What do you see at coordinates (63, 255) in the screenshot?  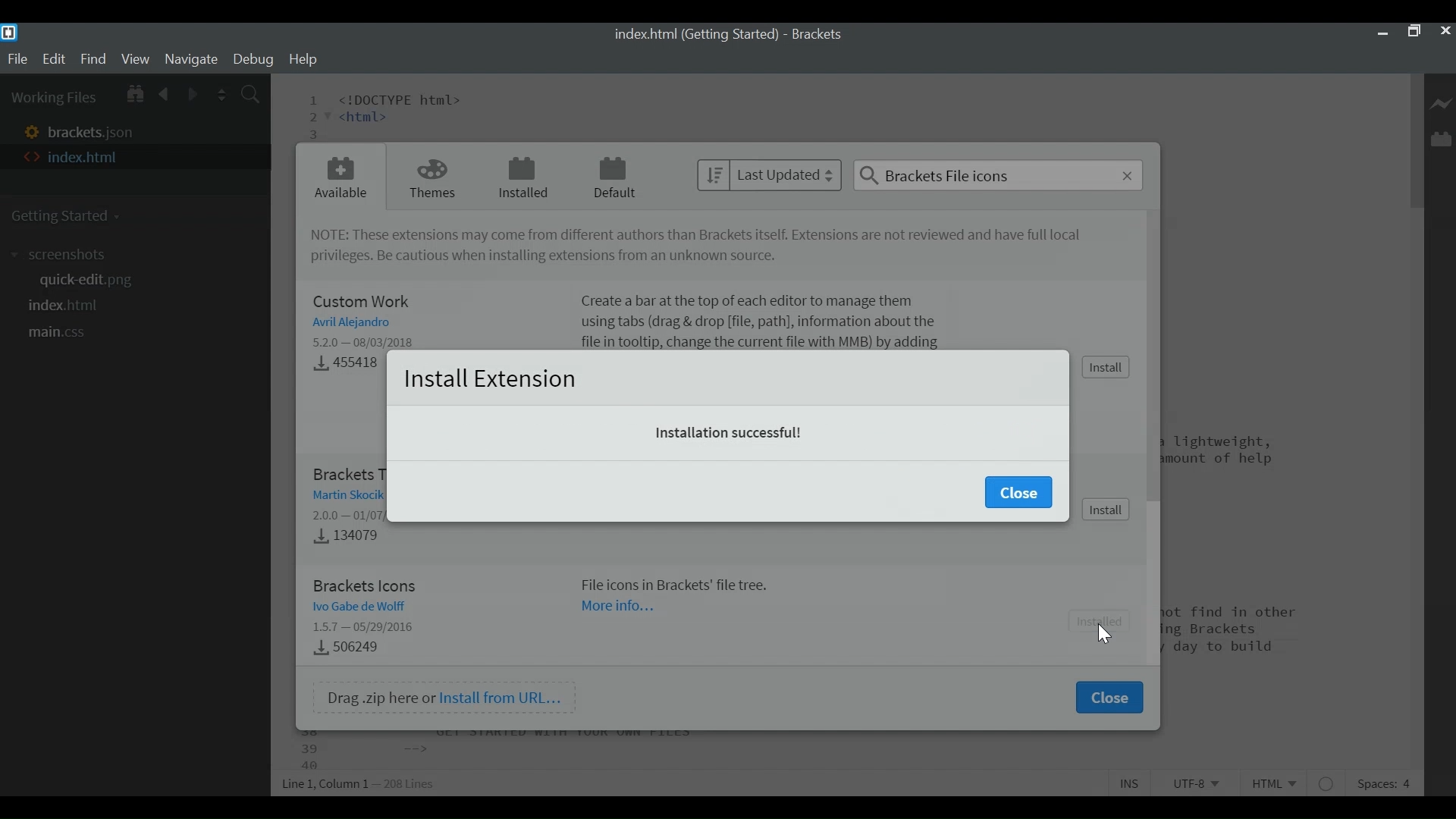 I see `screenshot` at bounding box center [63, 255].